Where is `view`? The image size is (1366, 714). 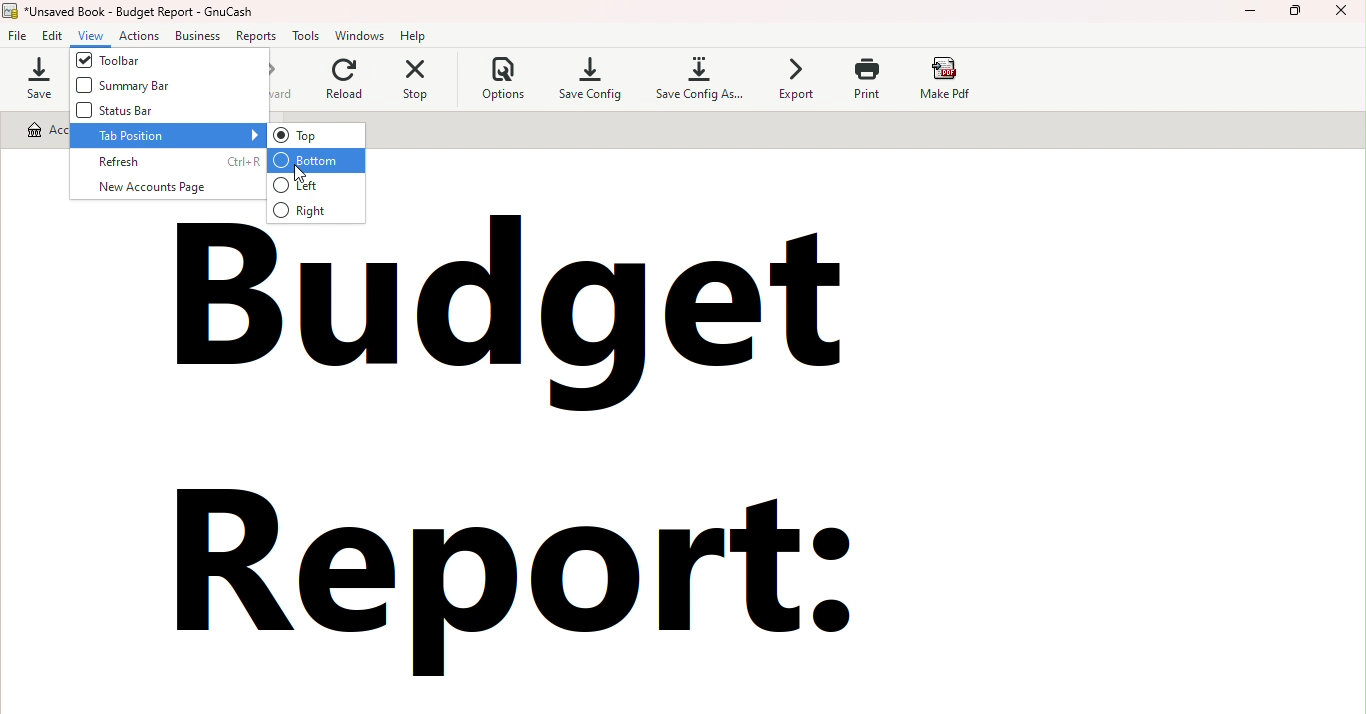
view is located at coordinates (94, 36).